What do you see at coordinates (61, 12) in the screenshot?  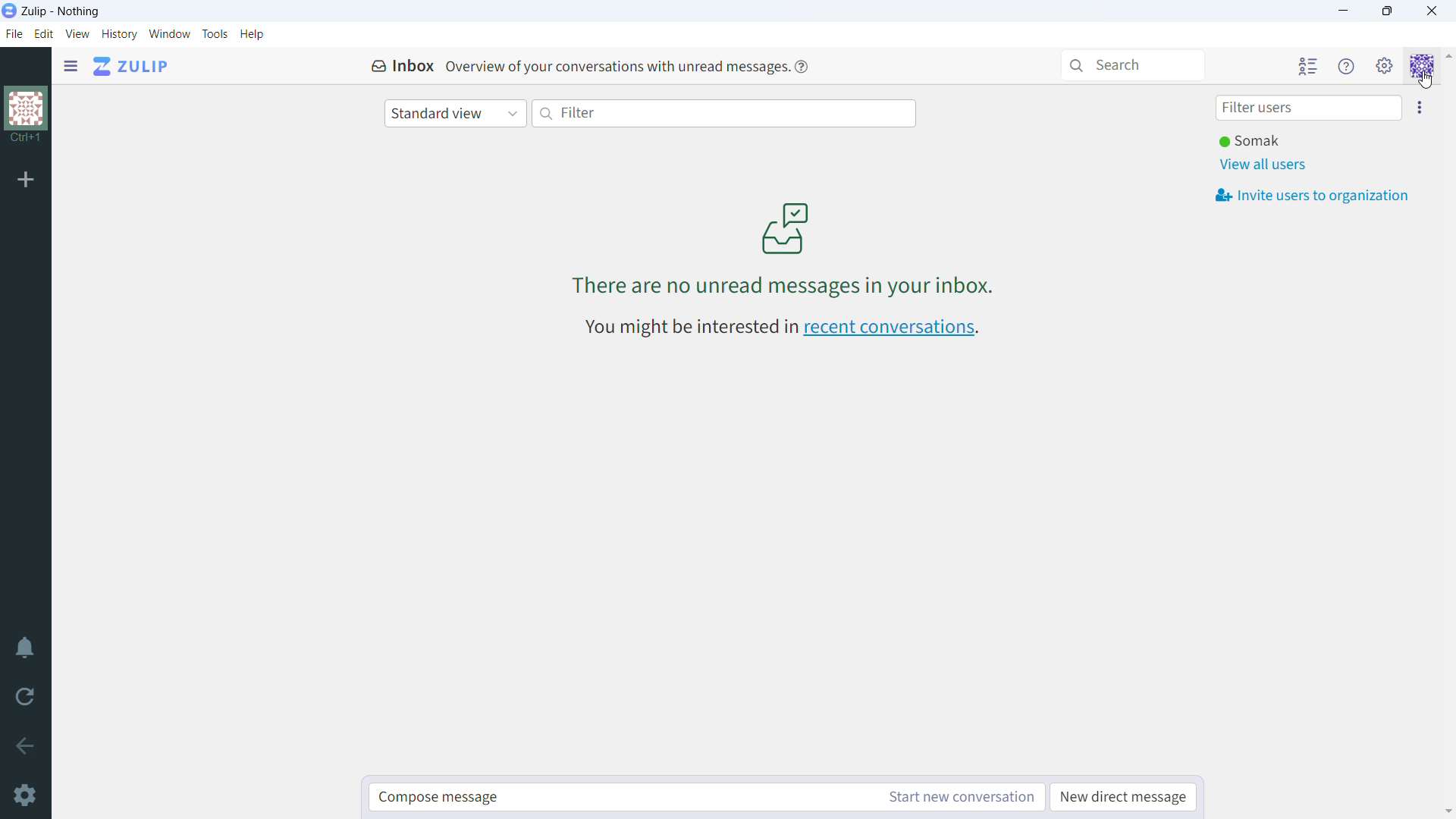 I see `title` at bounding box center [61, 12].